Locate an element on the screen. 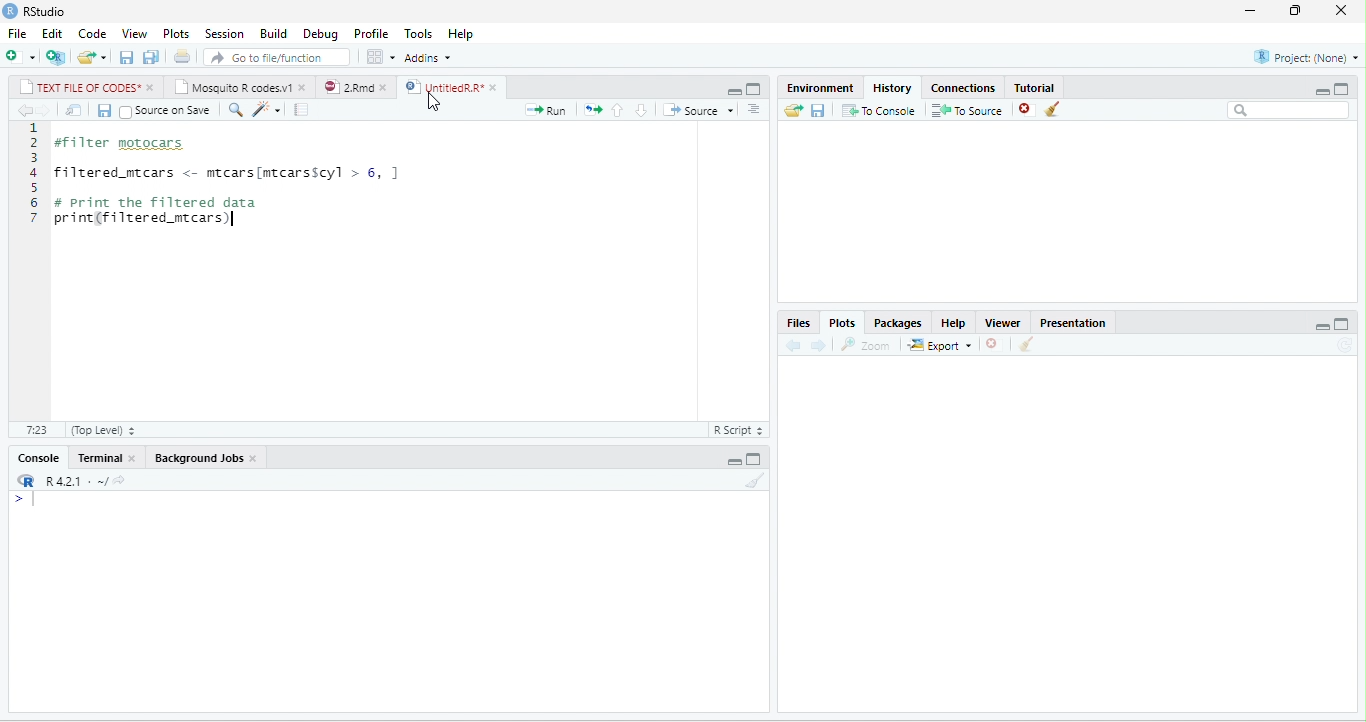 Image resolution: width=1366 pixels, height=722 pixels. cursor is located at coordinates (434, 104).